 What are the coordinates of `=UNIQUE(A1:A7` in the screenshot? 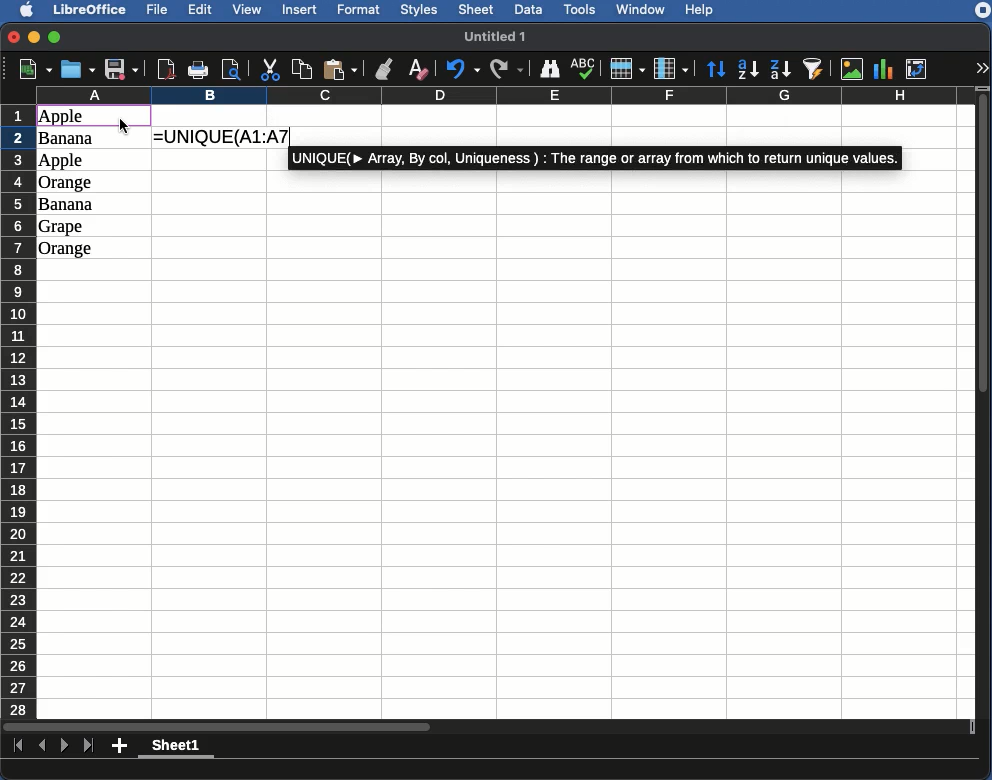 It's located at (223, 137).